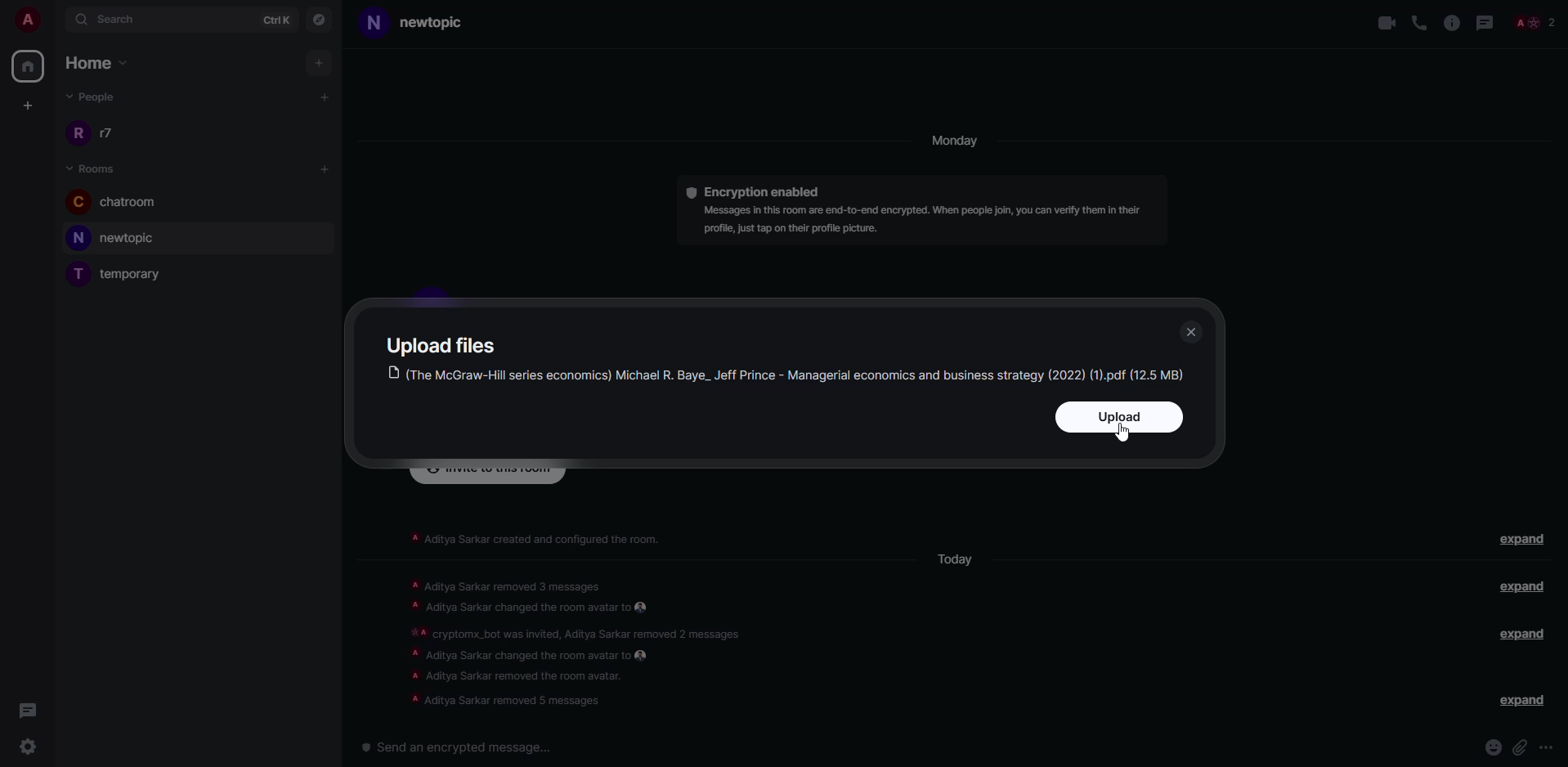 The height and width of the screenshot is (767, 1568). What do you see at coordinates (959, 560) in the screenshot?
I see `day` at bounding box center [959, 560].